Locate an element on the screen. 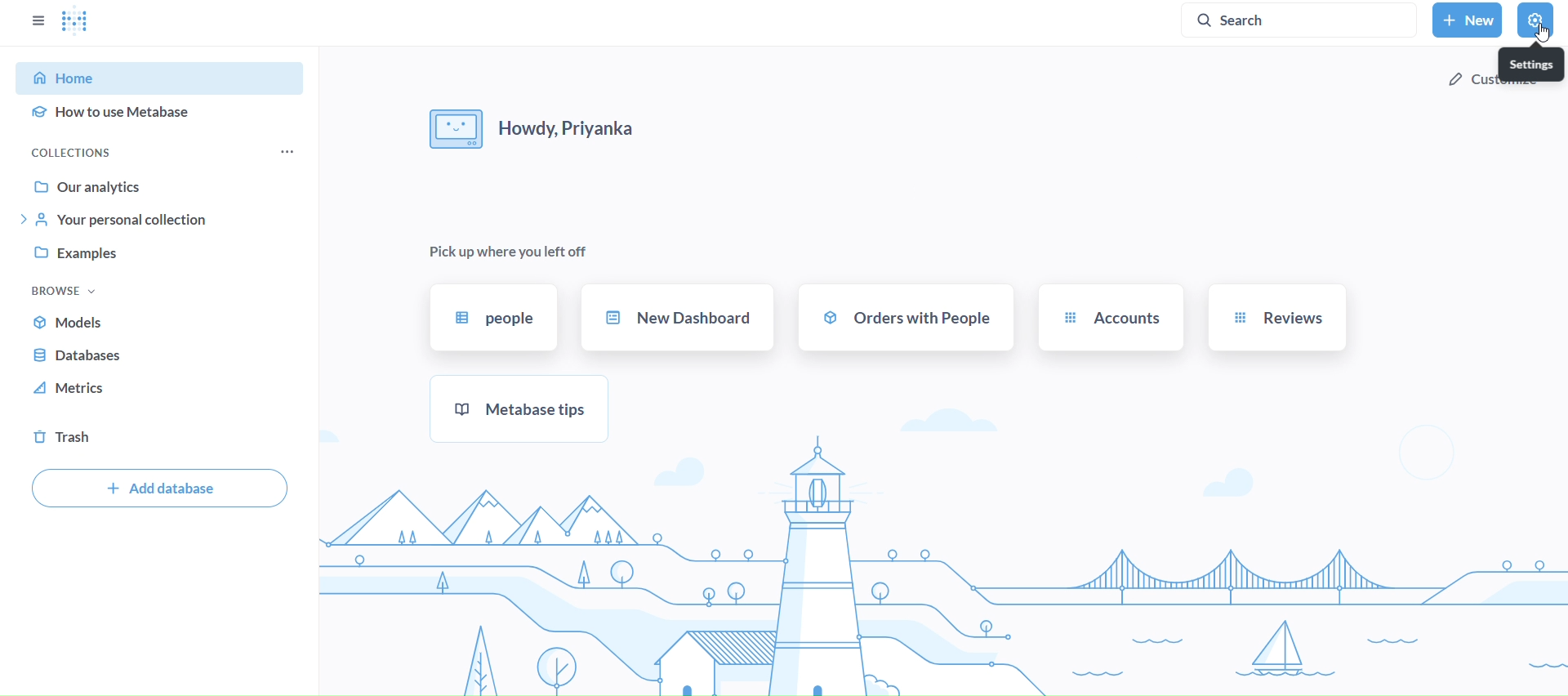 Image resolution: width=1568 pixels, height=696 pixels. settings is located at coordinates (1534, 65).